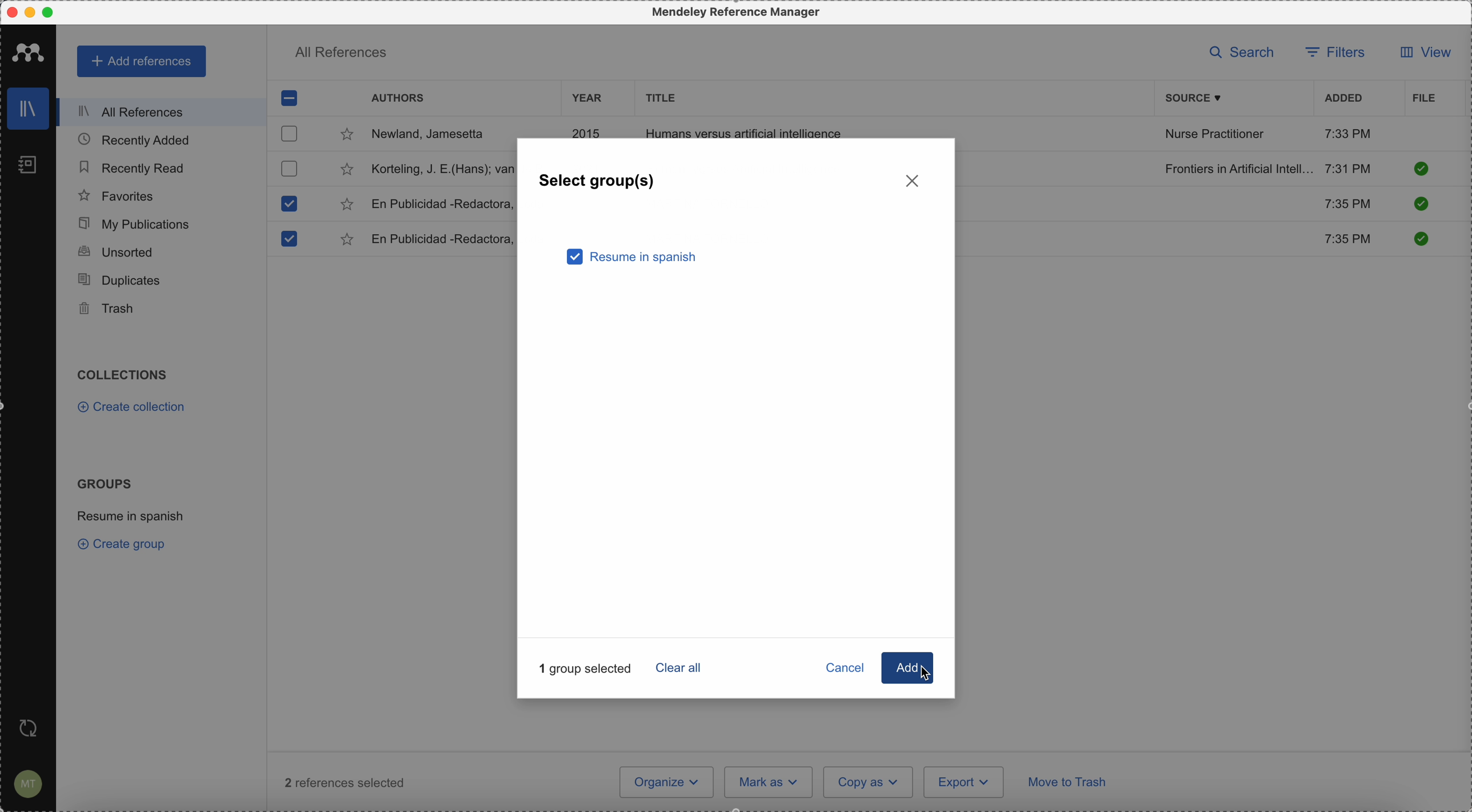 The image size is (1472, 812). I want to click on Mendeley Referencen Manager, so click(739, 13).